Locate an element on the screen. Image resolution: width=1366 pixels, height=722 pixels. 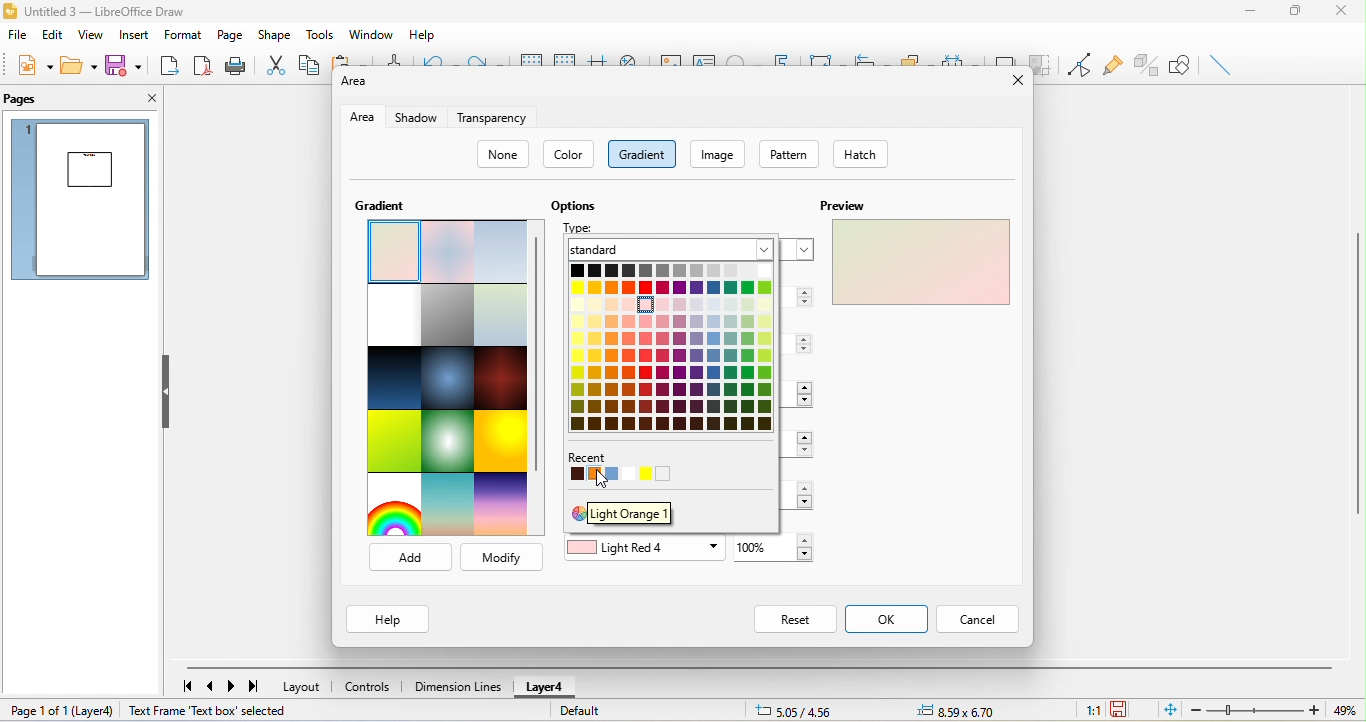
cursor position-5.05/4.56 is located at coordinates (794, 712).